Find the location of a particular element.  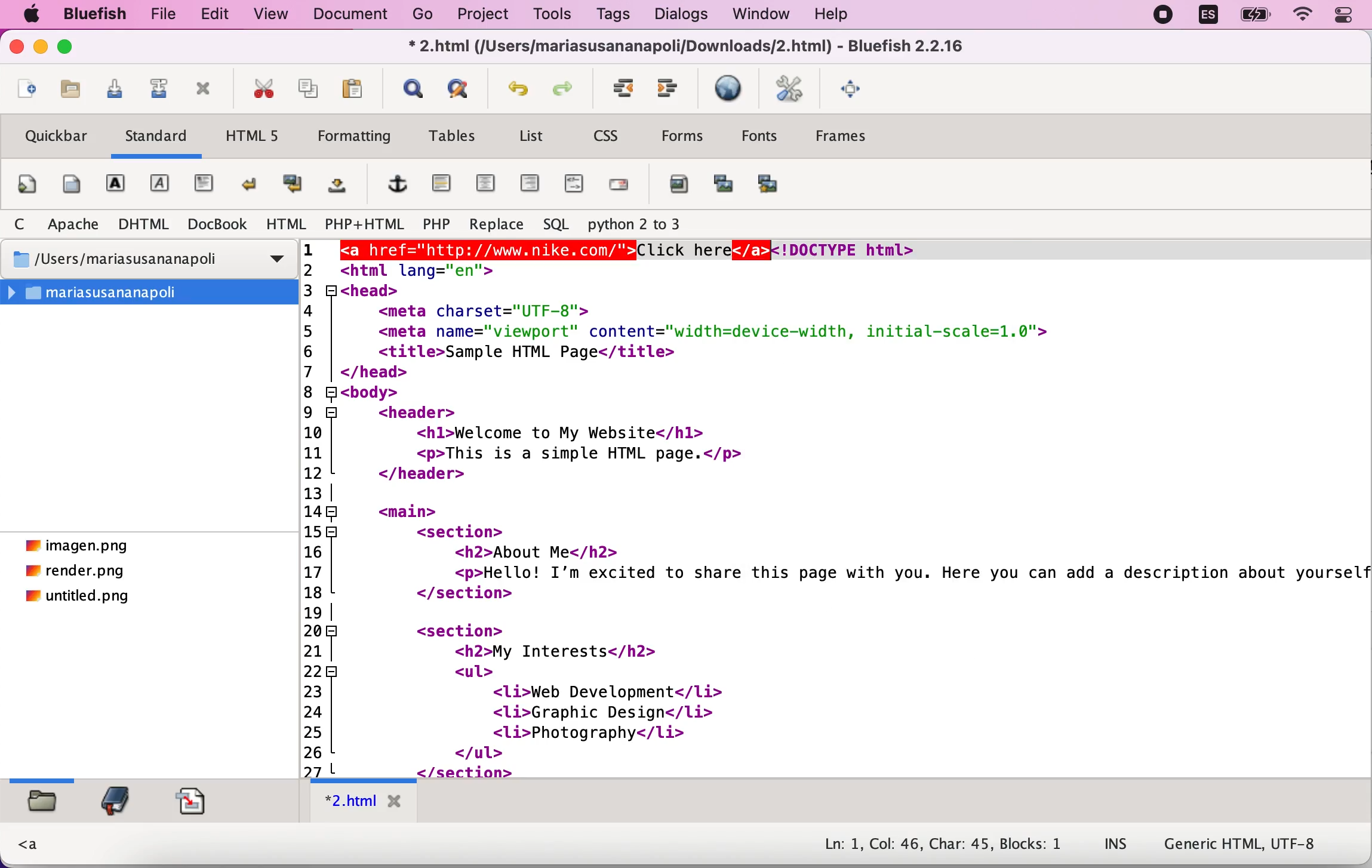

close is located at coordinates (16, 49).